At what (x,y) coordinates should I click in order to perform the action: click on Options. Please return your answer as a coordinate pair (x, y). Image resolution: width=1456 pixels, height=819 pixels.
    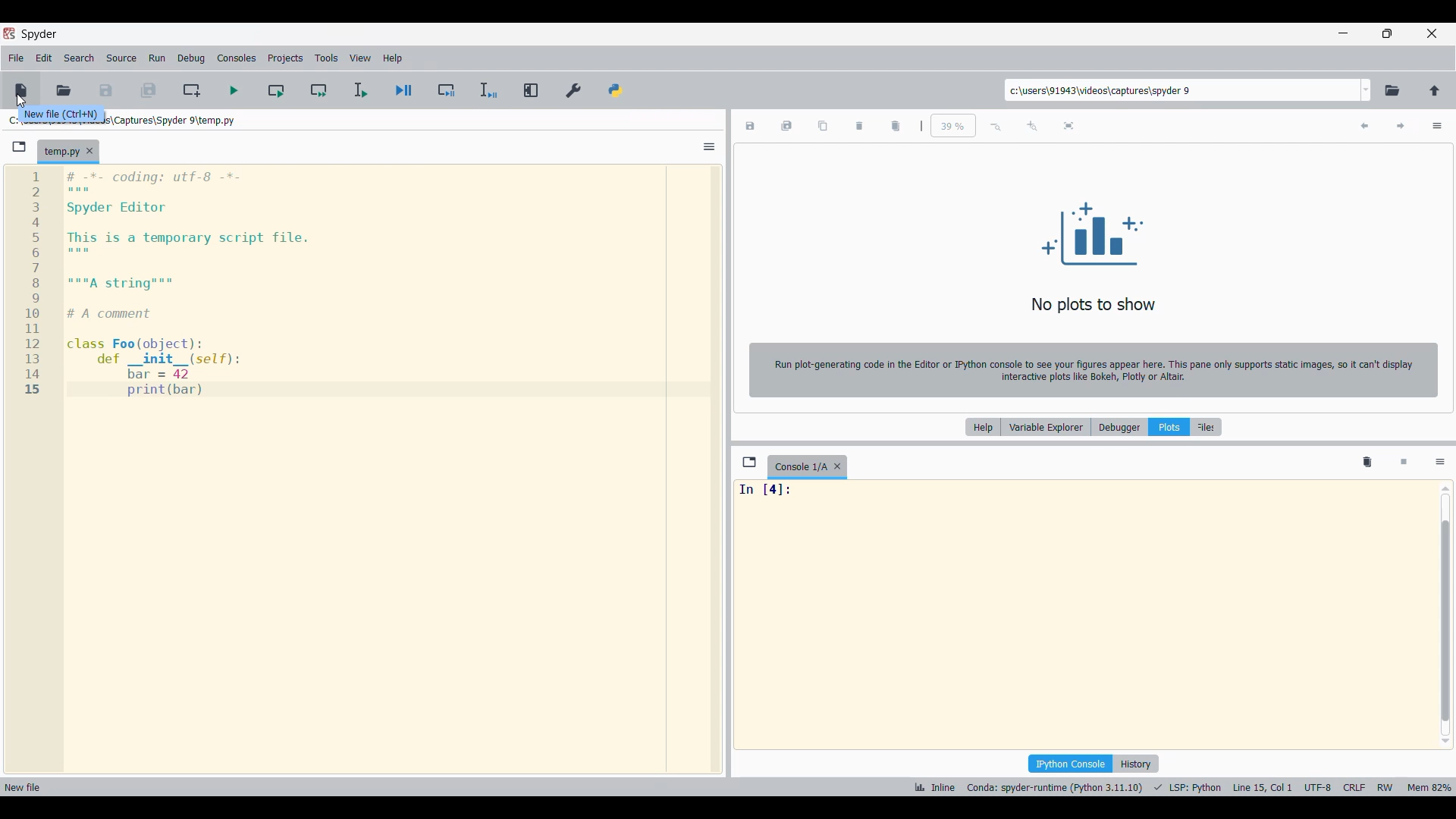
    Looking at the image, I should click on (709, 147).